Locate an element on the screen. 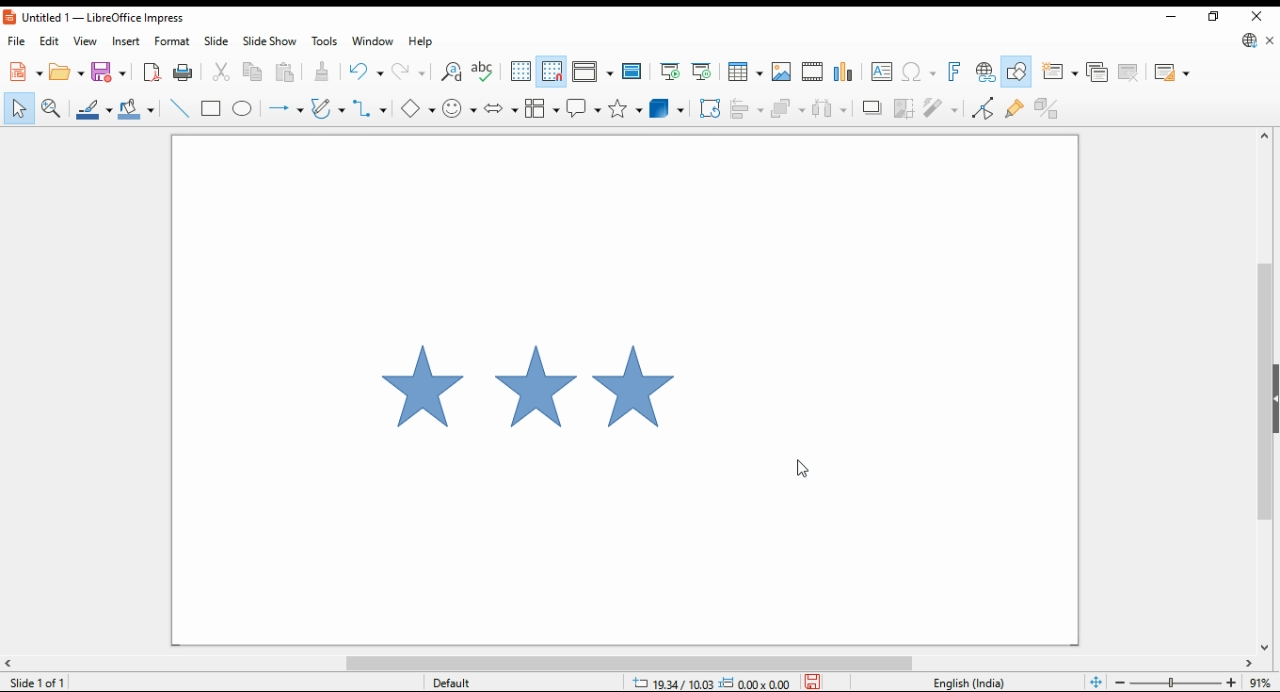 The height and width of the screenshot is (692, 1280). view is located at coordinates (86, 41).